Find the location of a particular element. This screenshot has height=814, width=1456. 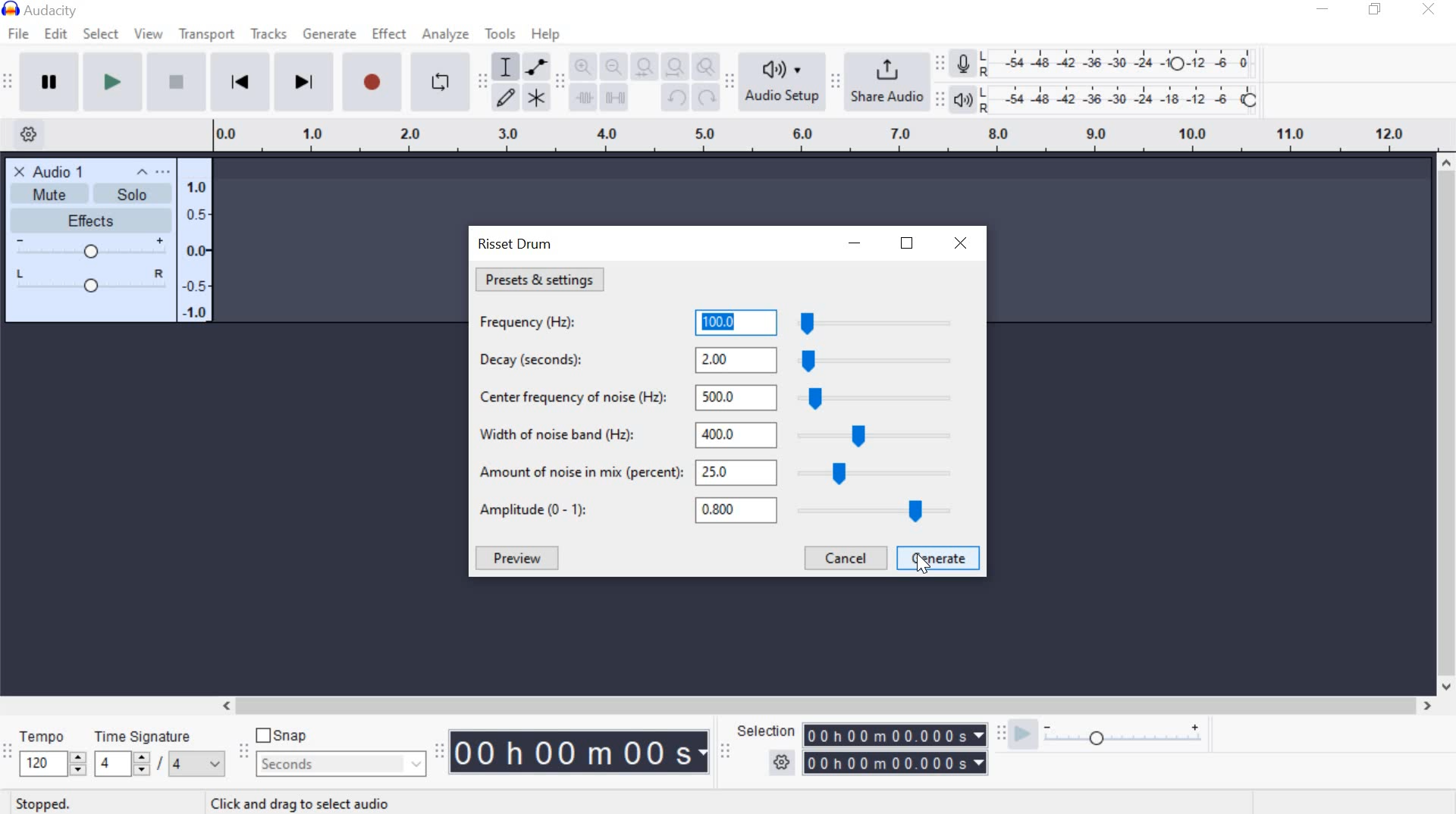

undo is located at coordinates (675, 99).